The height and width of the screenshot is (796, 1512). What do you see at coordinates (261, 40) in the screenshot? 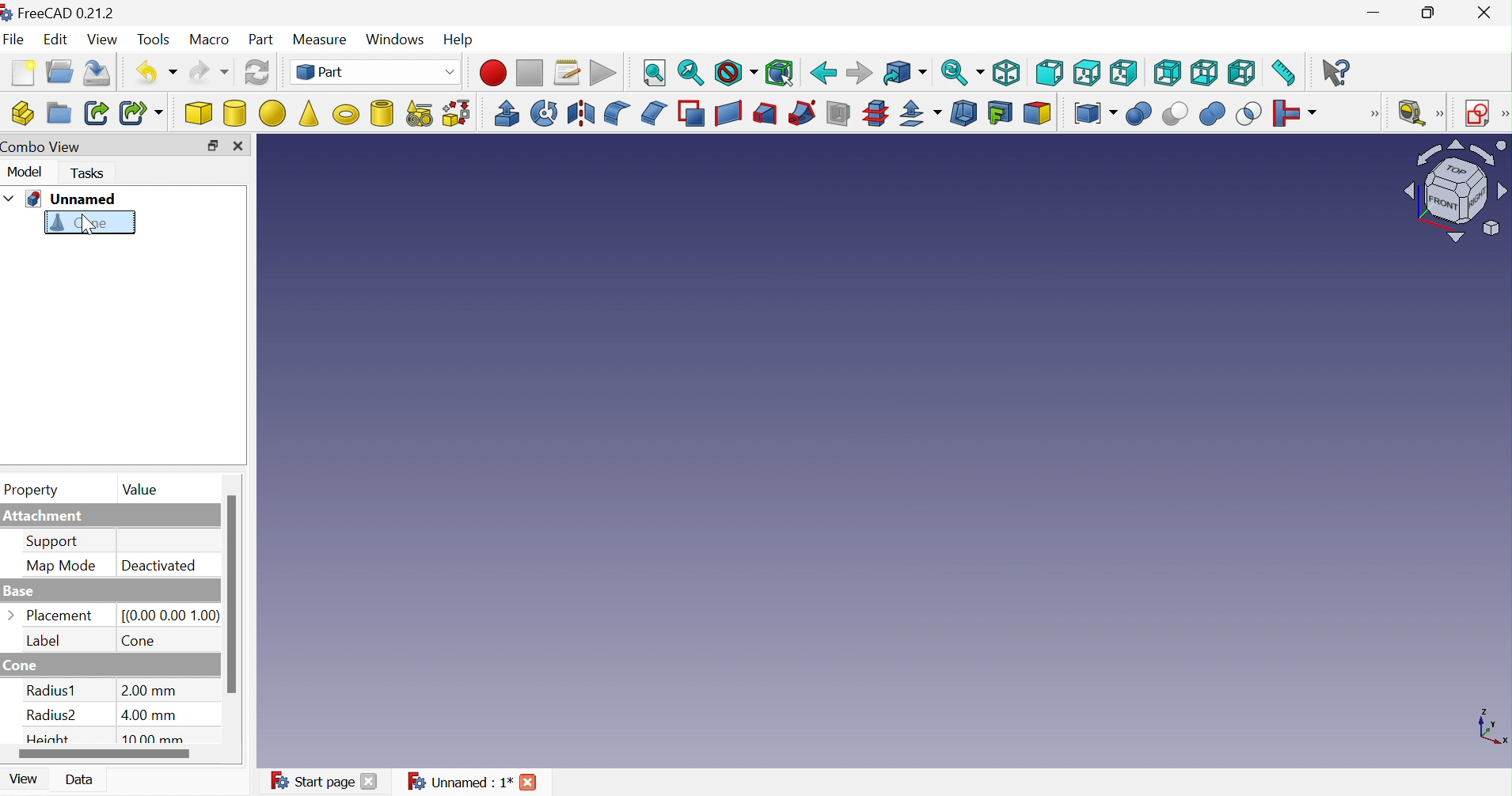
I see `Part` at bounding box center [261, 40].